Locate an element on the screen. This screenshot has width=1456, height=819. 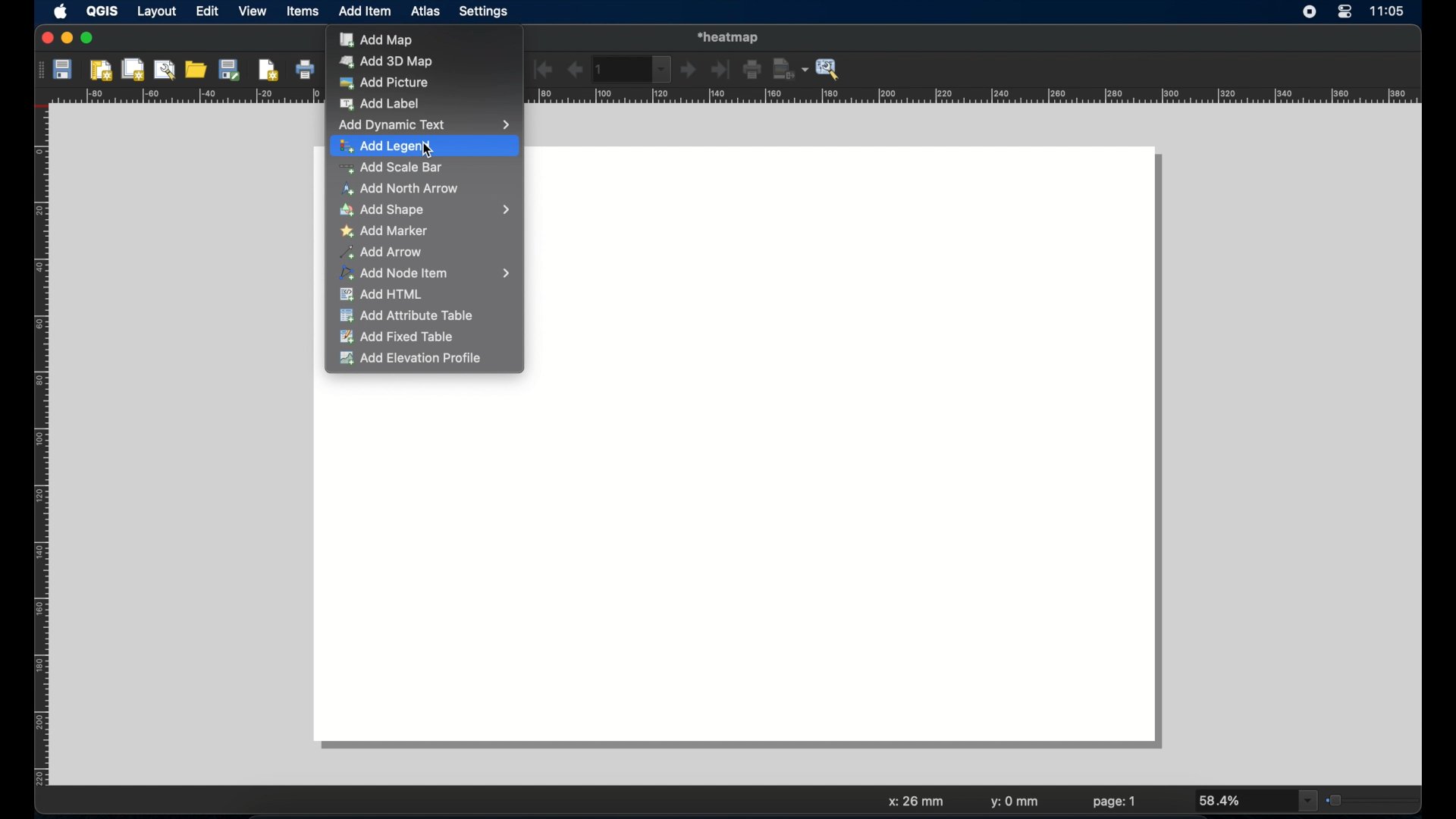
blank layout is located at coordinates (846, 264).